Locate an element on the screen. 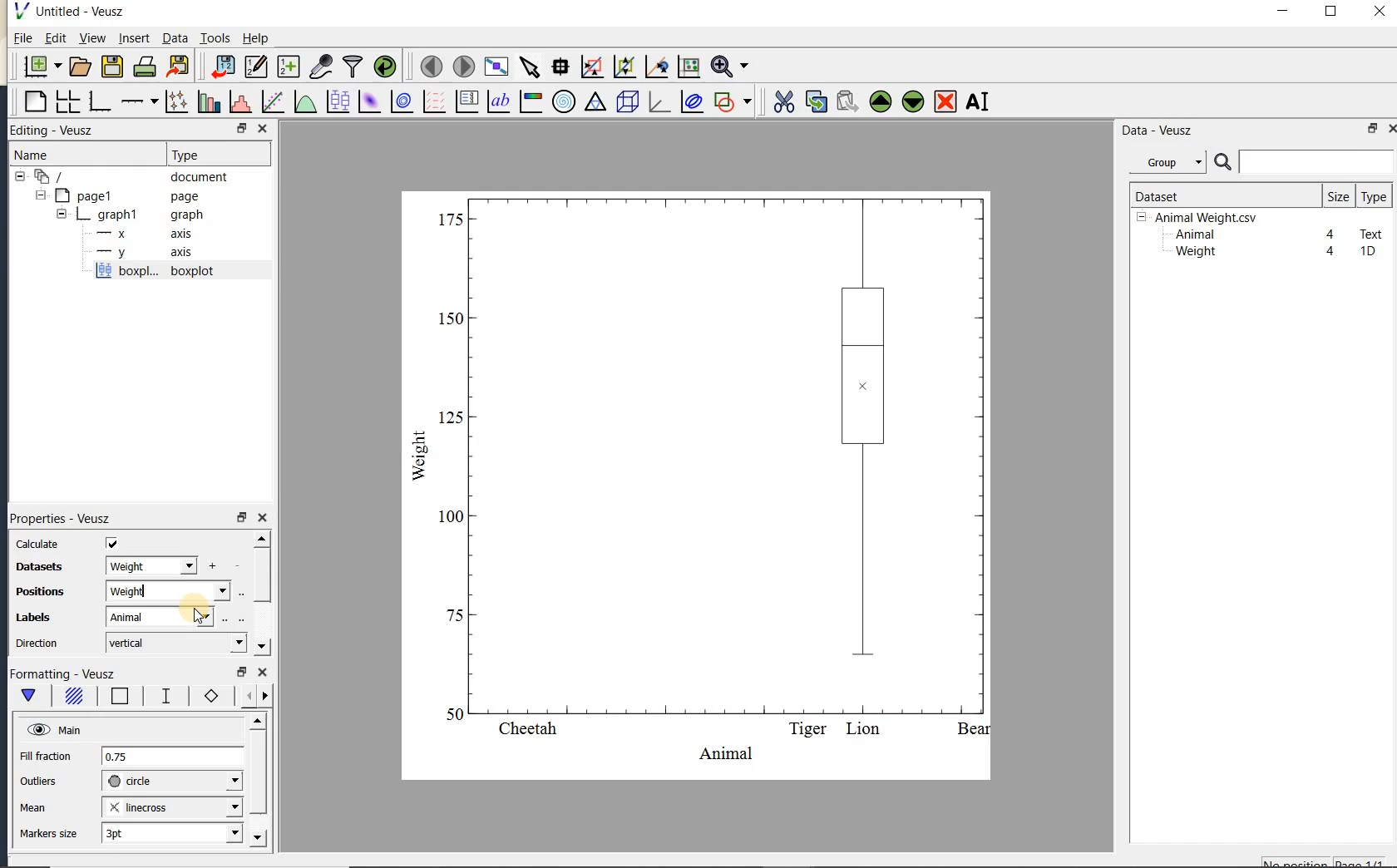  graph1 is located at coordinates (122, 215).